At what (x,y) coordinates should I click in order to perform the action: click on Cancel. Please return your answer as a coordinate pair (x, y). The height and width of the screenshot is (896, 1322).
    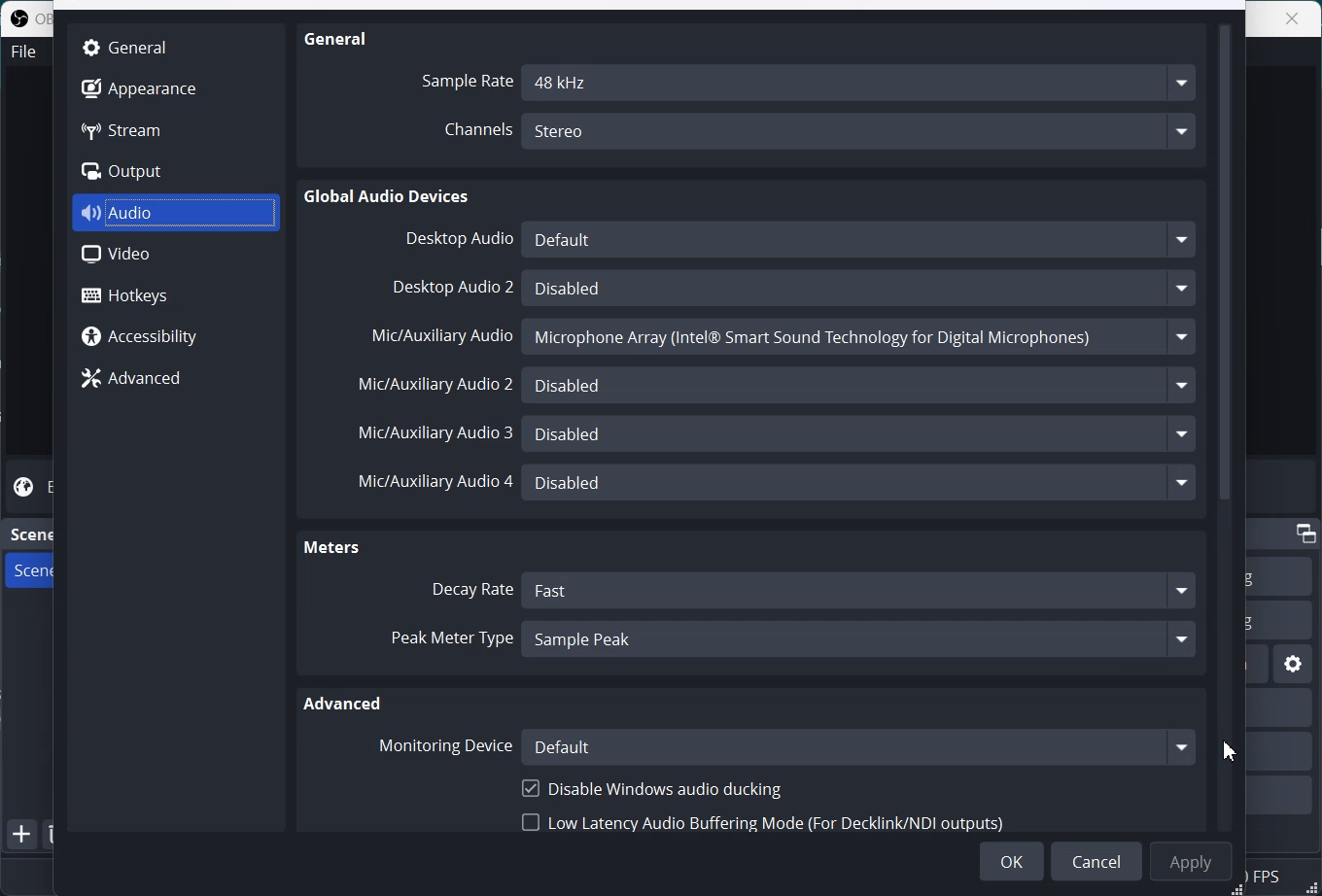
    Looking at the image, I should click on (1096, 861).